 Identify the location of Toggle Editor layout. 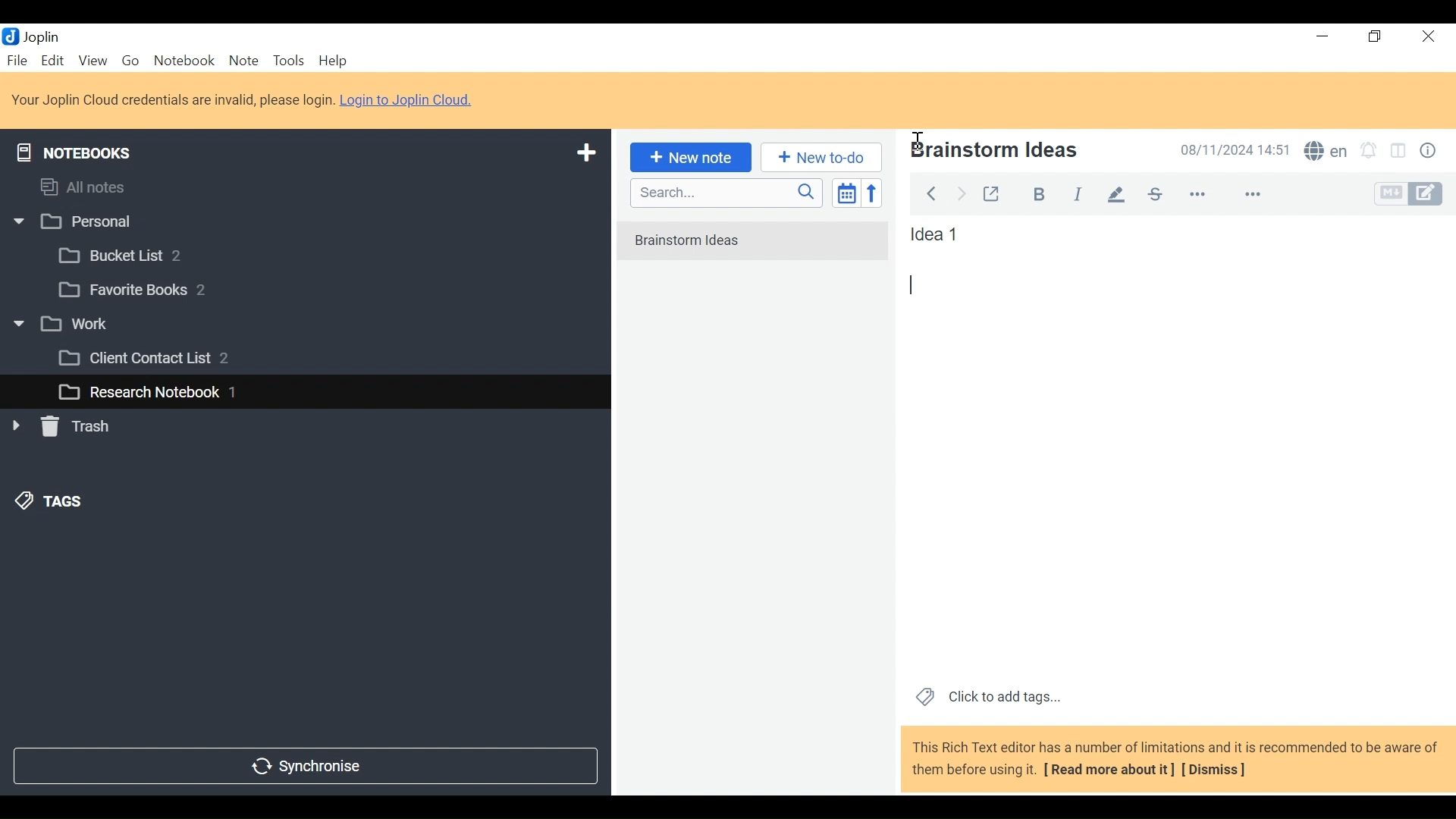
(1399, 152).